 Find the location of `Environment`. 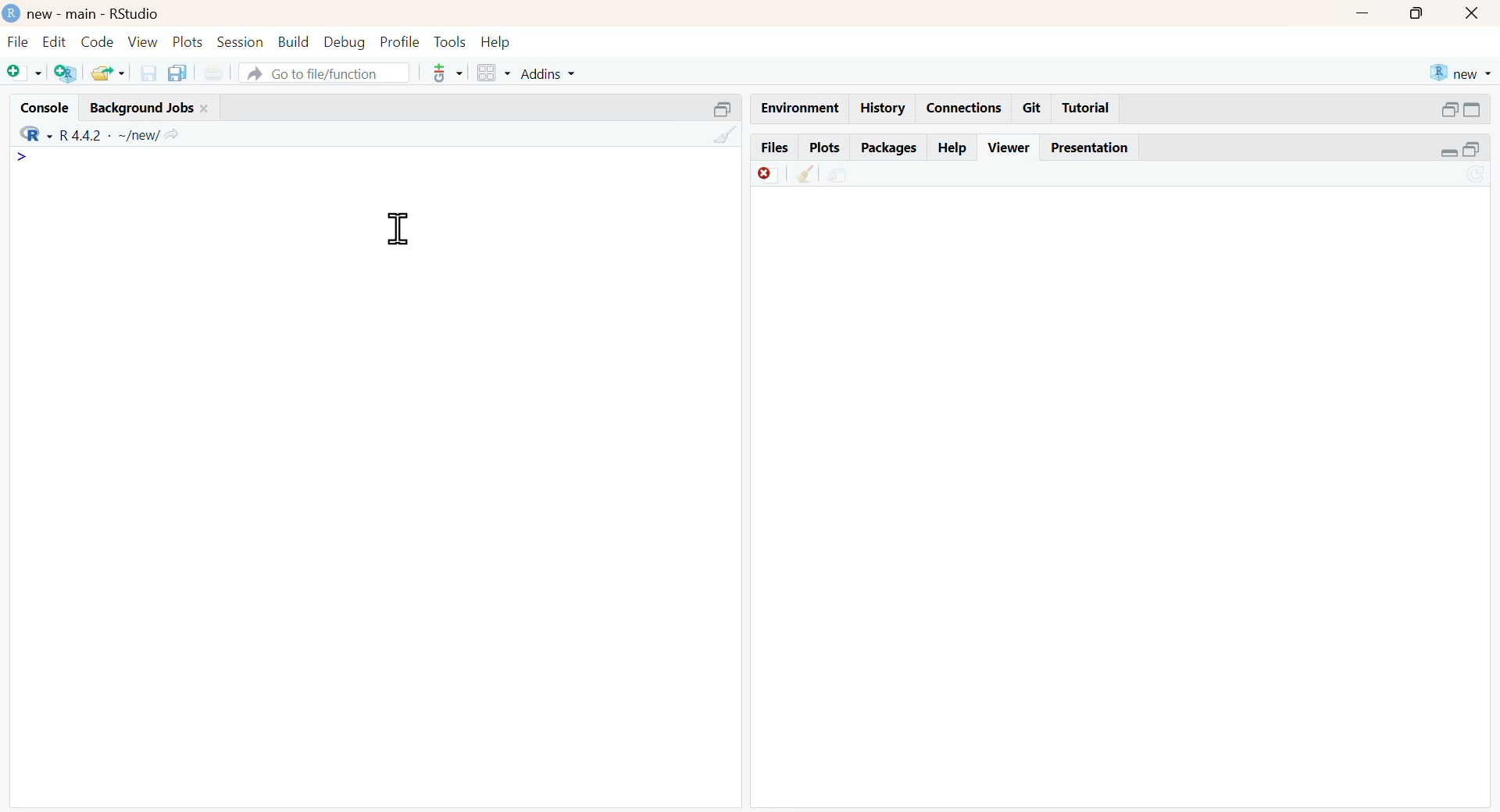

Environment is located at coordinates (798, 107).